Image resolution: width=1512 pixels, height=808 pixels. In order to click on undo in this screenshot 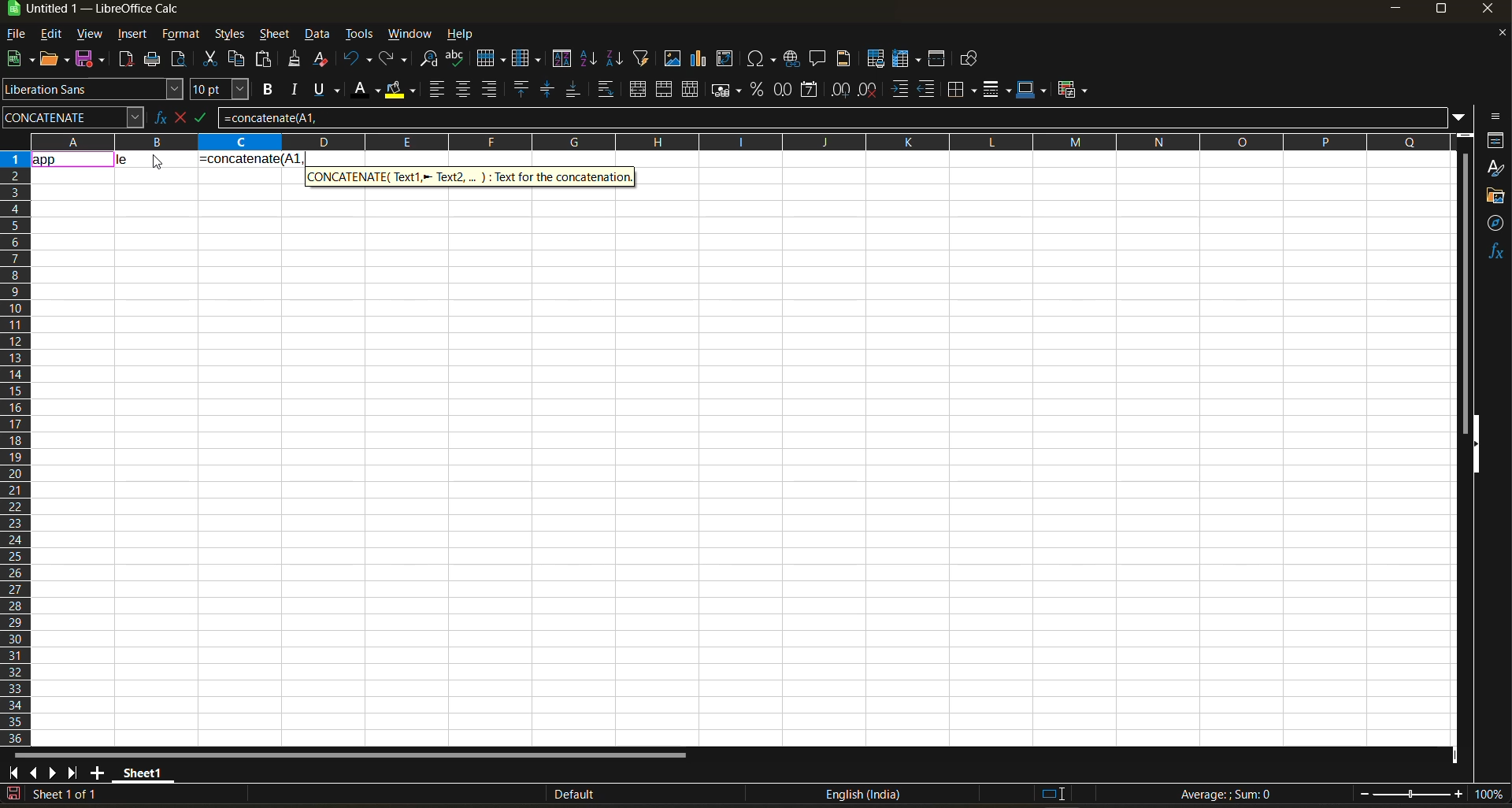, I will do `click(358, 59)`.